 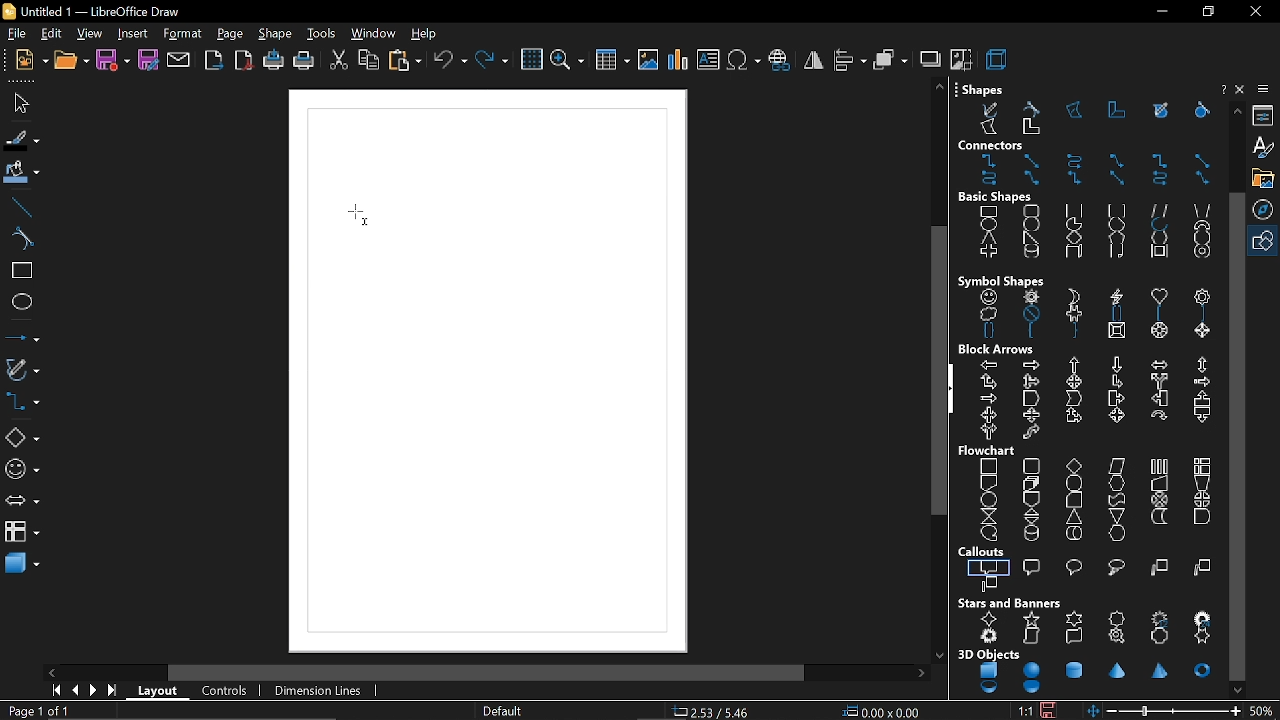 I want to click on polygon 45, so click(x=1118, y=110).